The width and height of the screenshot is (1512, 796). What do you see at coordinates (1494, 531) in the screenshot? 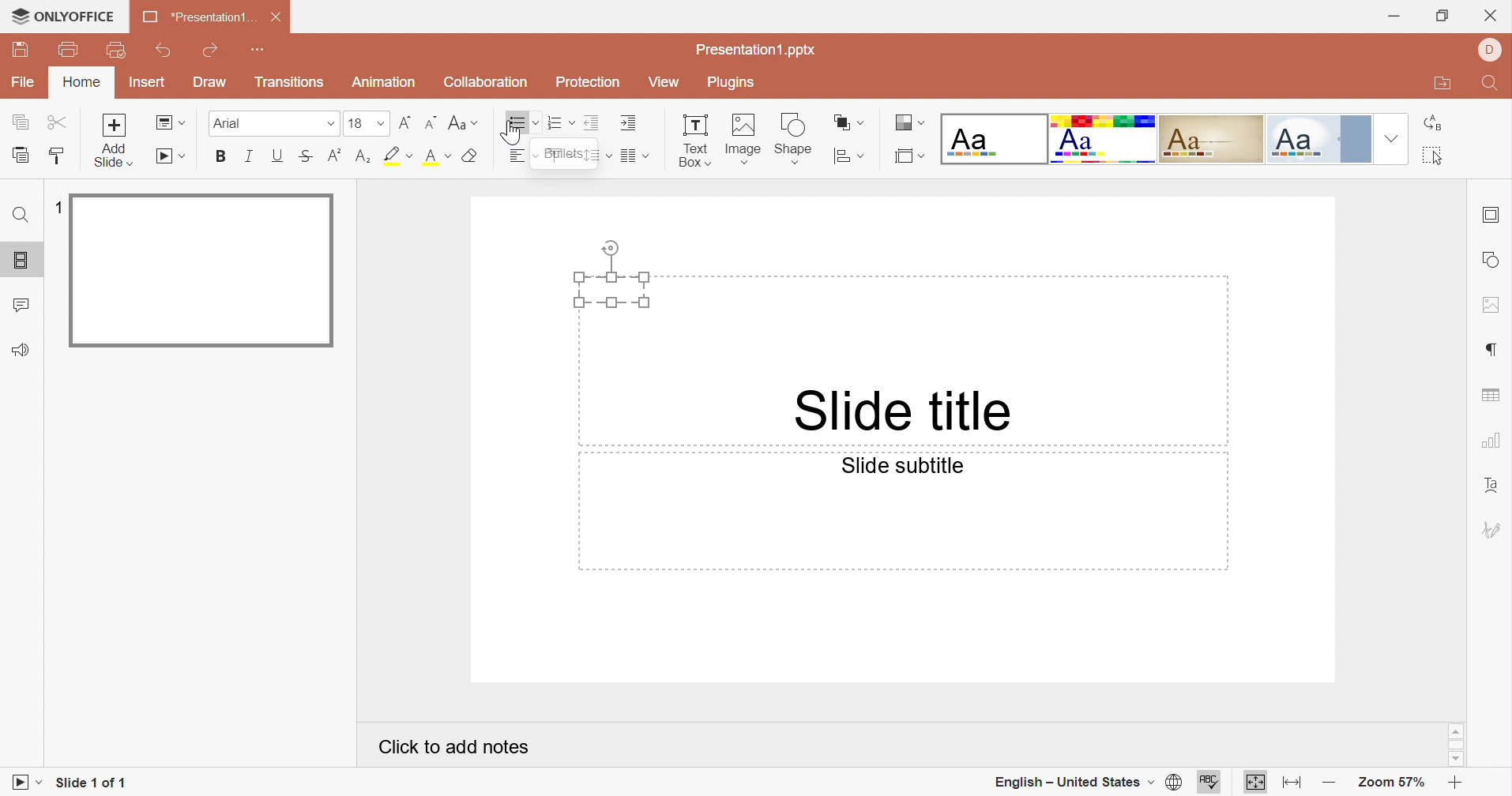
I see `signature settings` at bounding box center [1494, 531].